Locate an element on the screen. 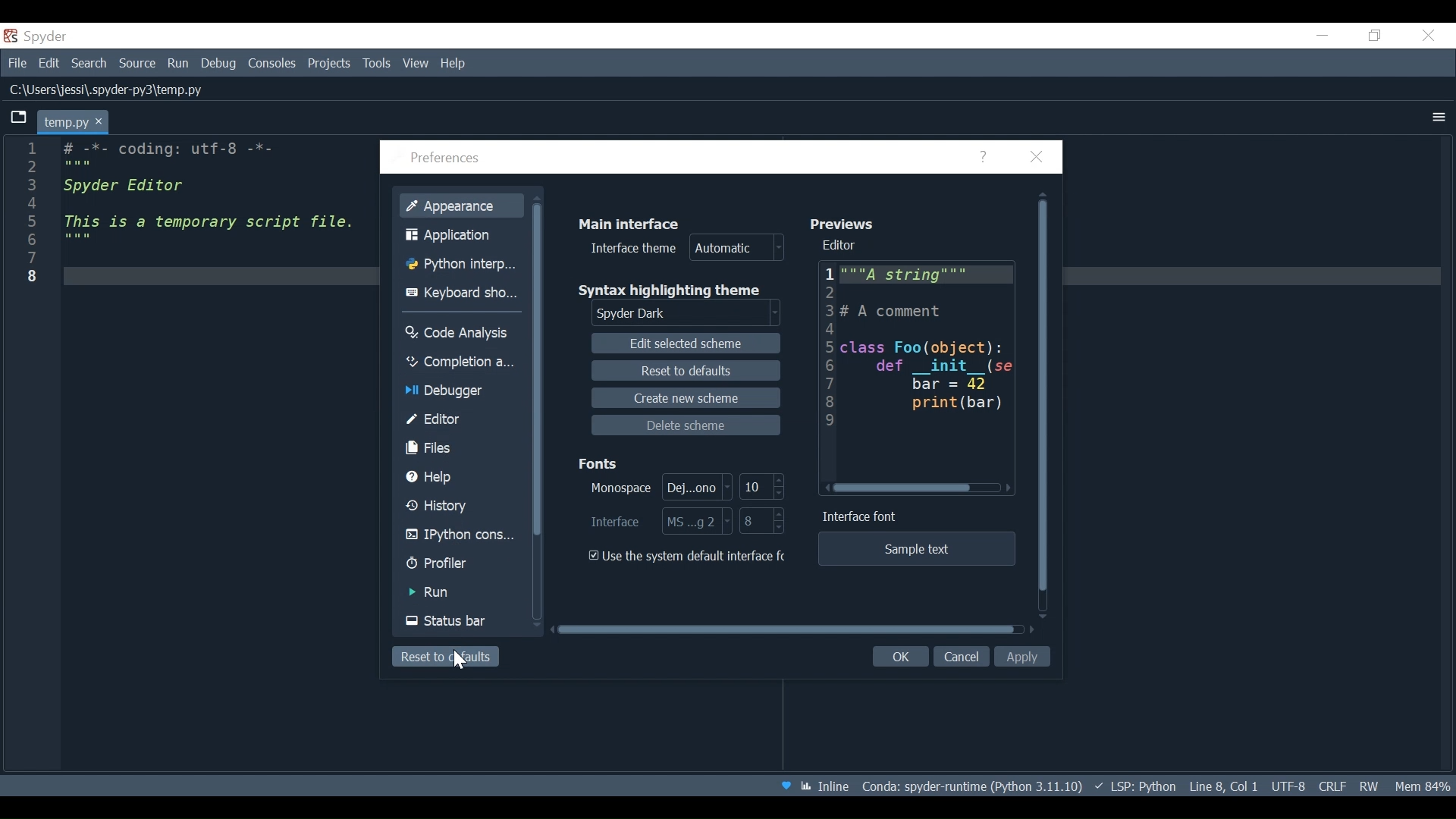  Application is located at coordinates (465, 234).